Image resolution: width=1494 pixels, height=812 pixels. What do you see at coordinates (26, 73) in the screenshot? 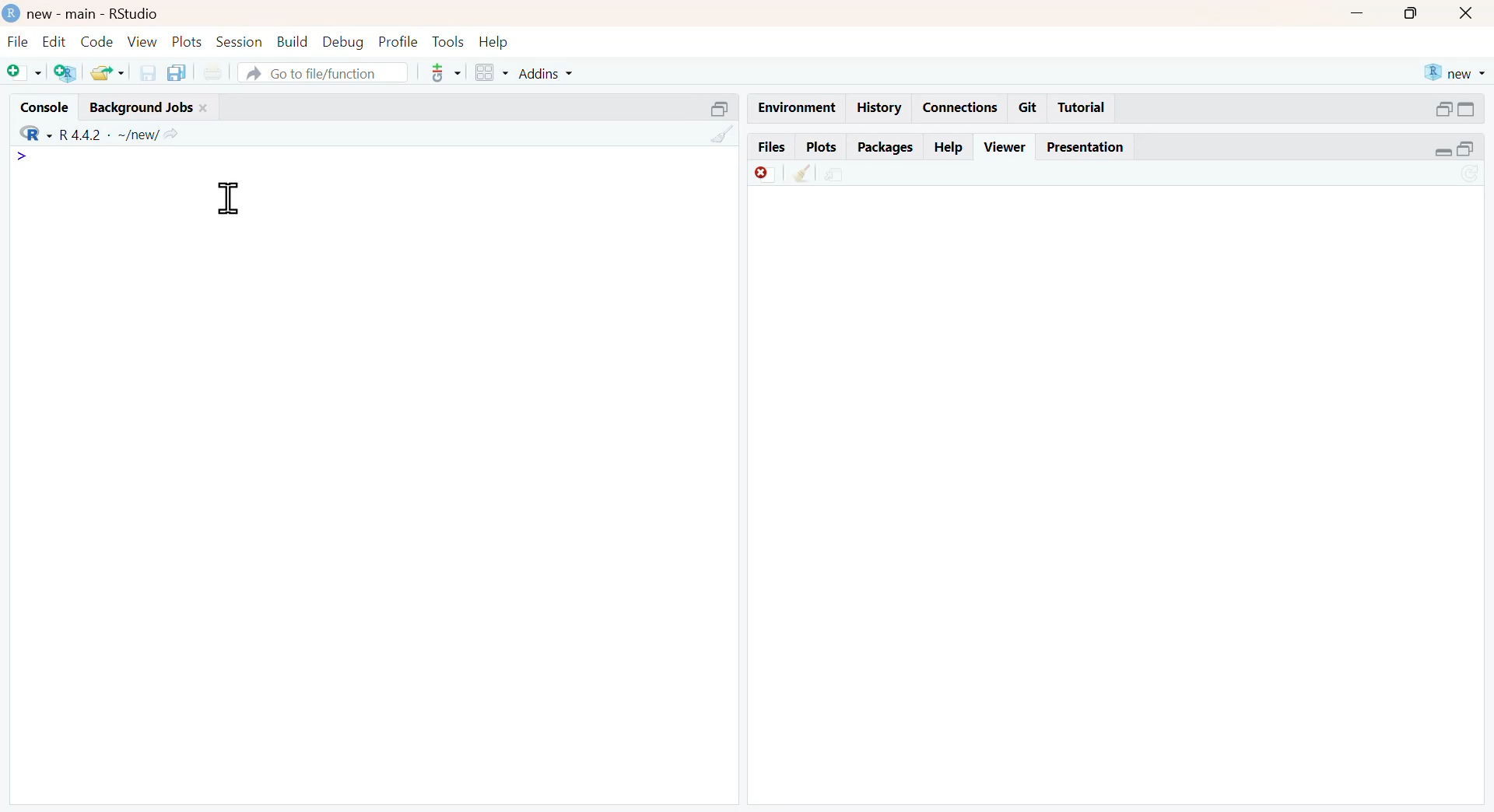
I see `add file as` at bounding box center [26, 73].